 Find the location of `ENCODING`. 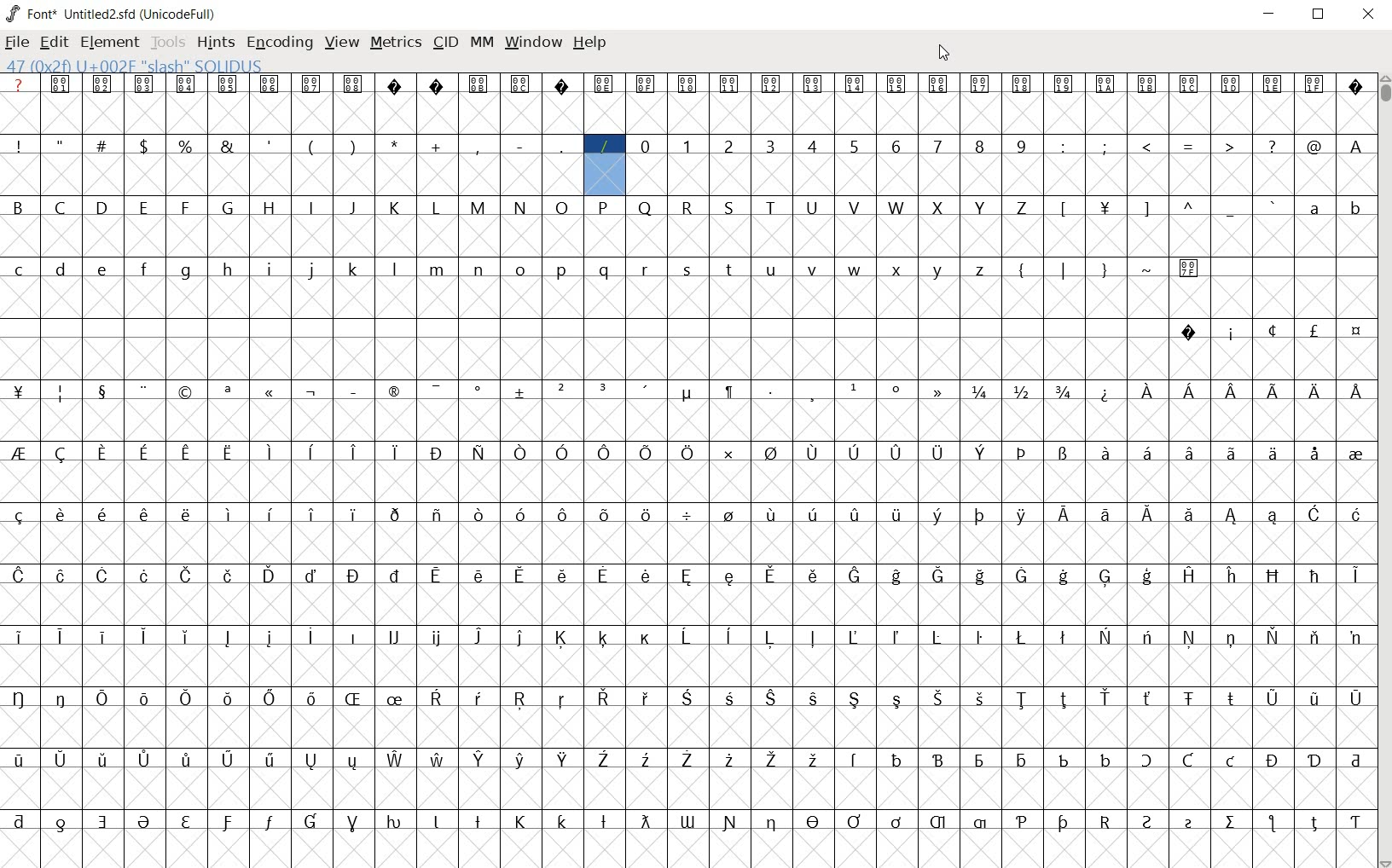

ENCODING is located at coordinates (278, 42).